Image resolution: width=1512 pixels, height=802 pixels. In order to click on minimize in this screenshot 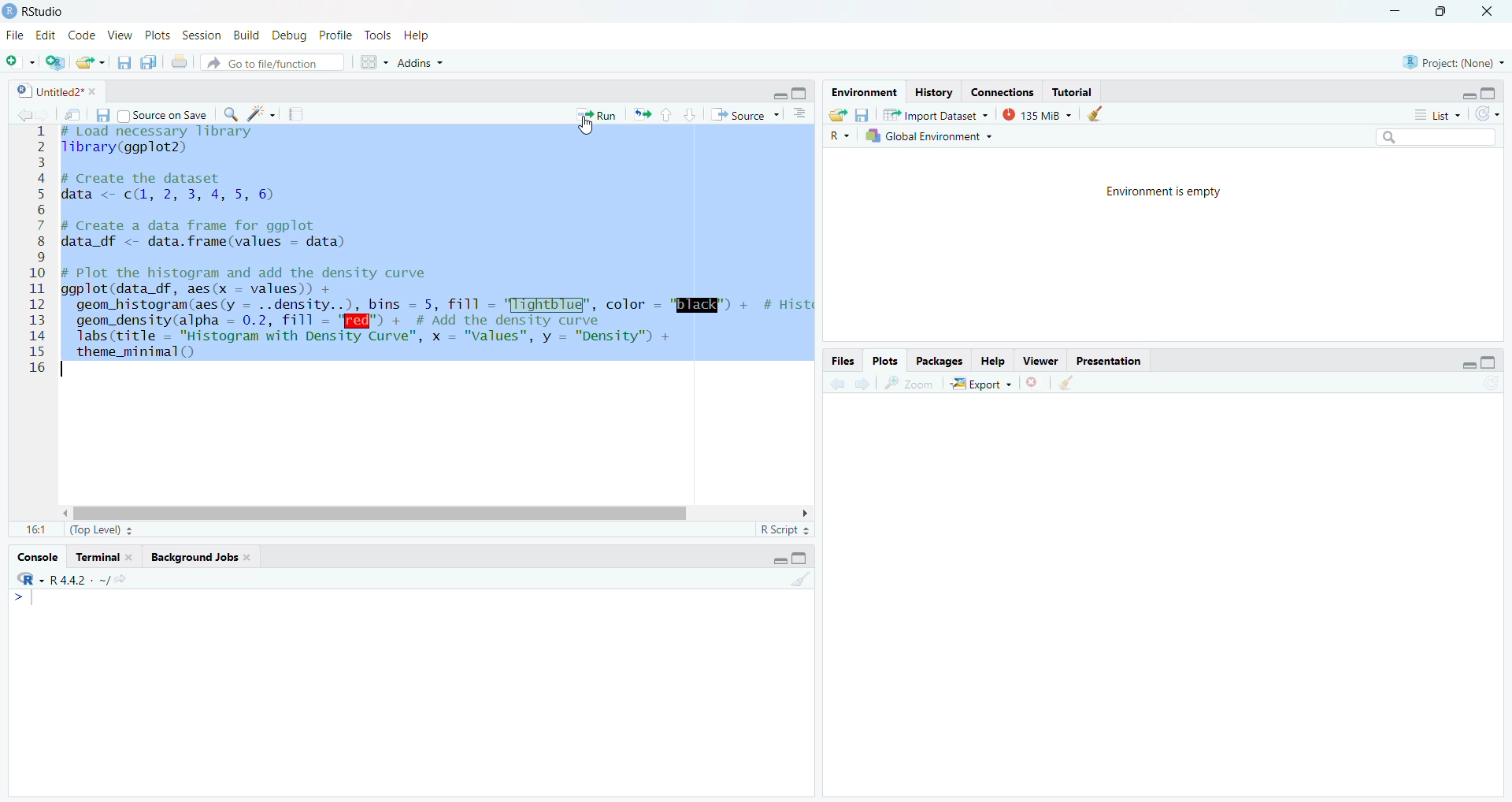, I will do `click(1393, 13)`.